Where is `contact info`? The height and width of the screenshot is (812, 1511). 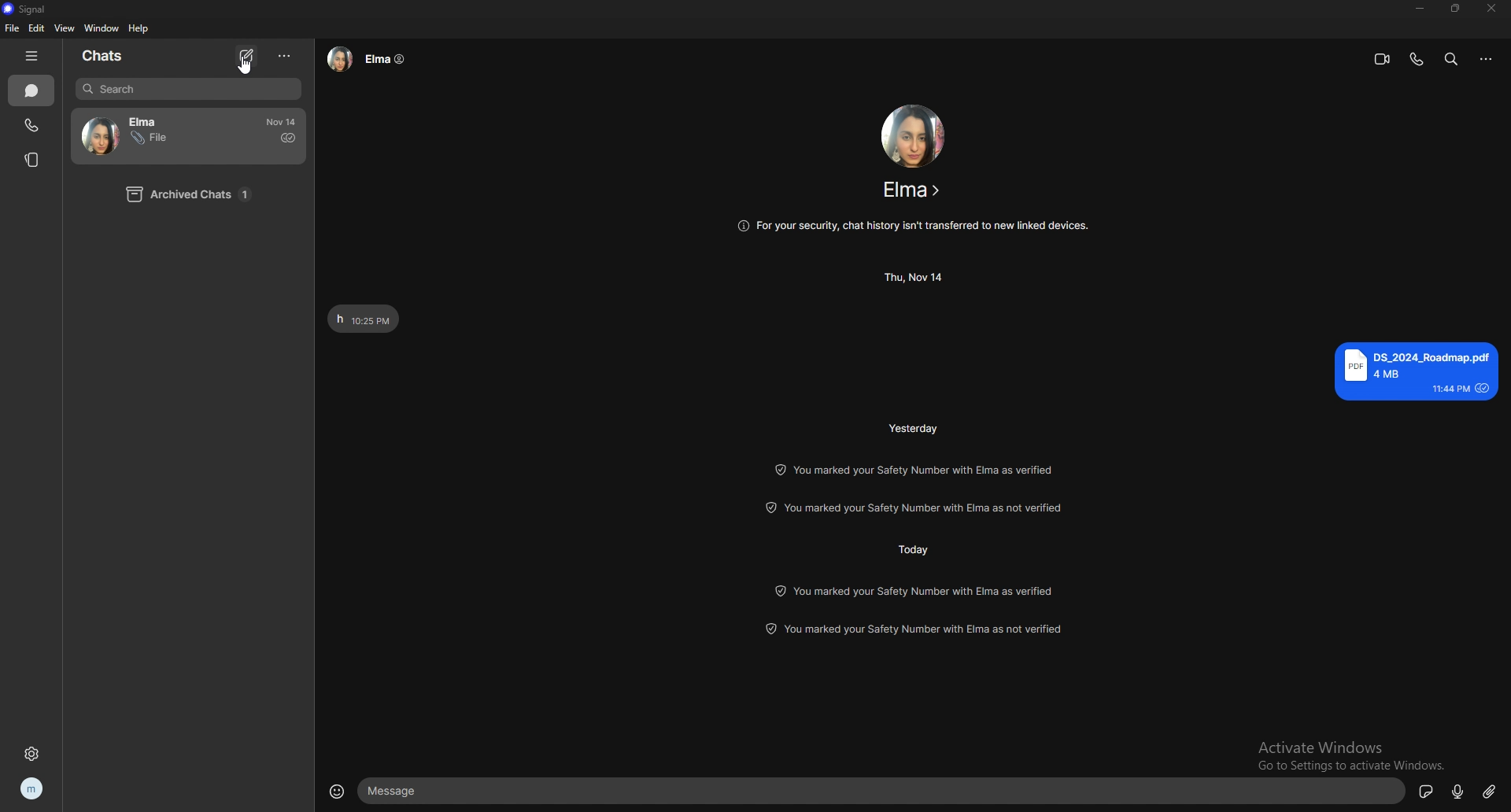 contact info is located at coordinates (367, 59).